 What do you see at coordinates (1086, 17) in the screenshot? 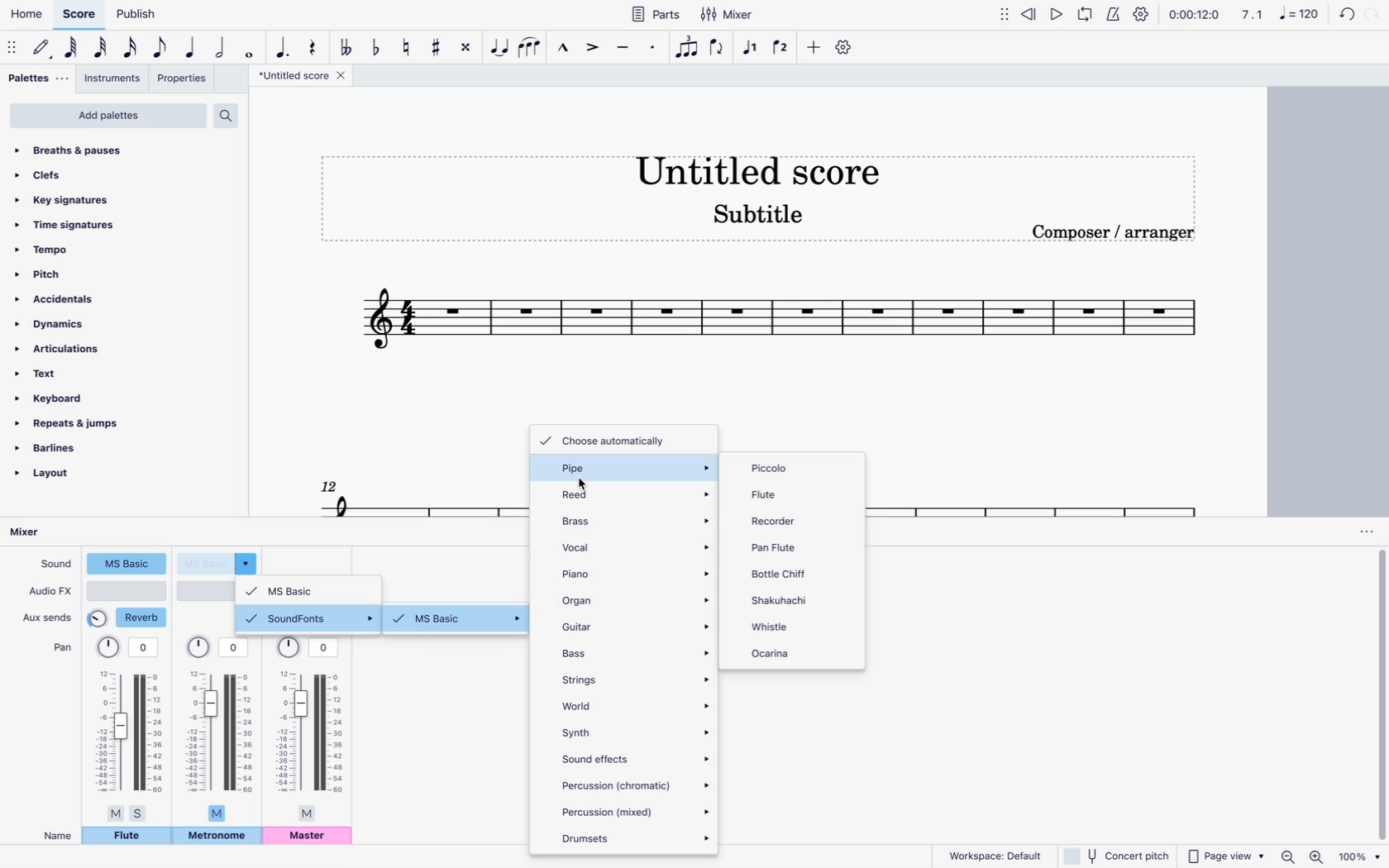
I see `loop playback` at bounding box center [1086, 17].